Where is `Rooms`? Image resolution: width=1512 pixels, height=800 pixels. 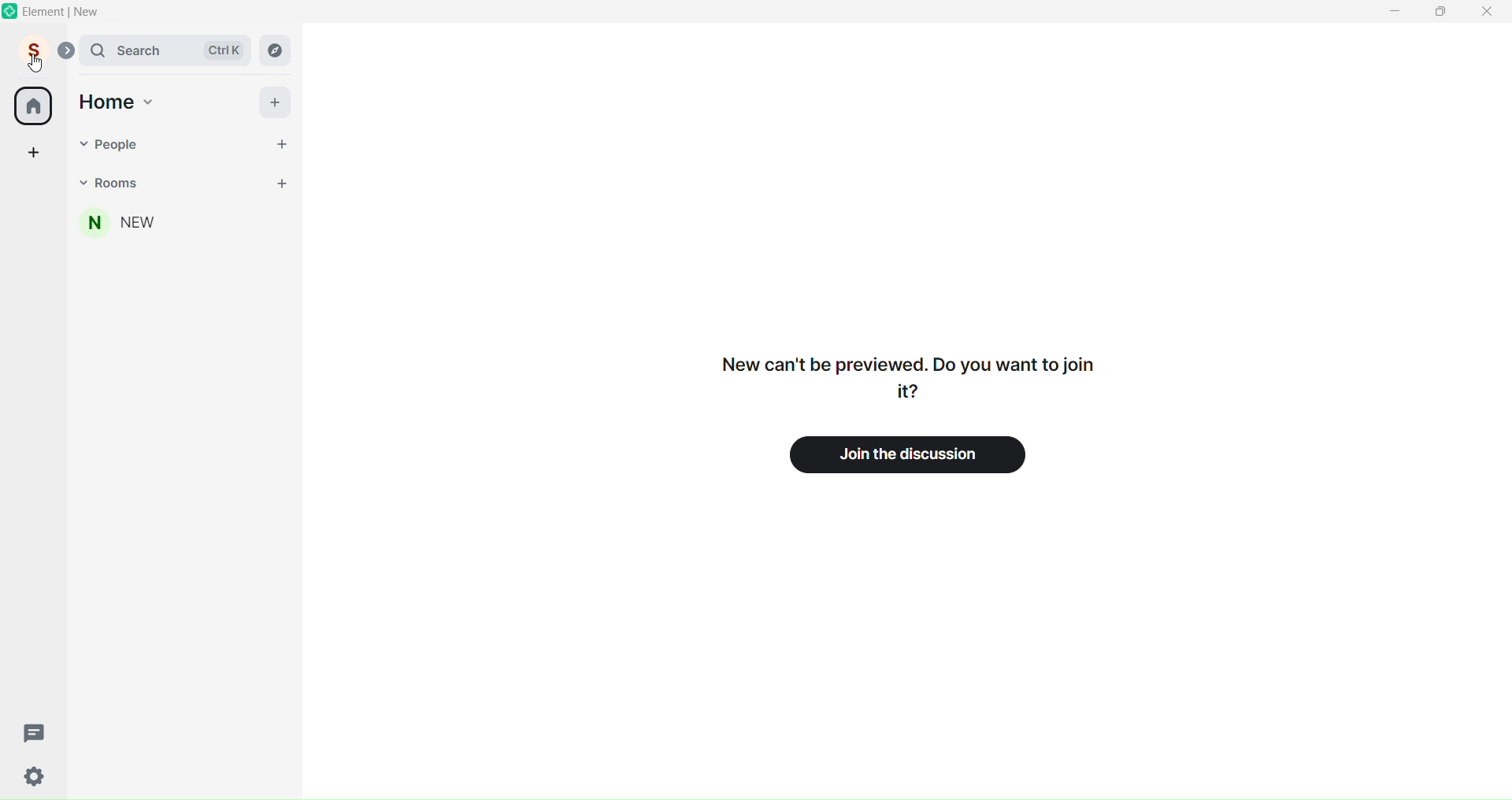 Rooms is located at coordinates (180, 183).